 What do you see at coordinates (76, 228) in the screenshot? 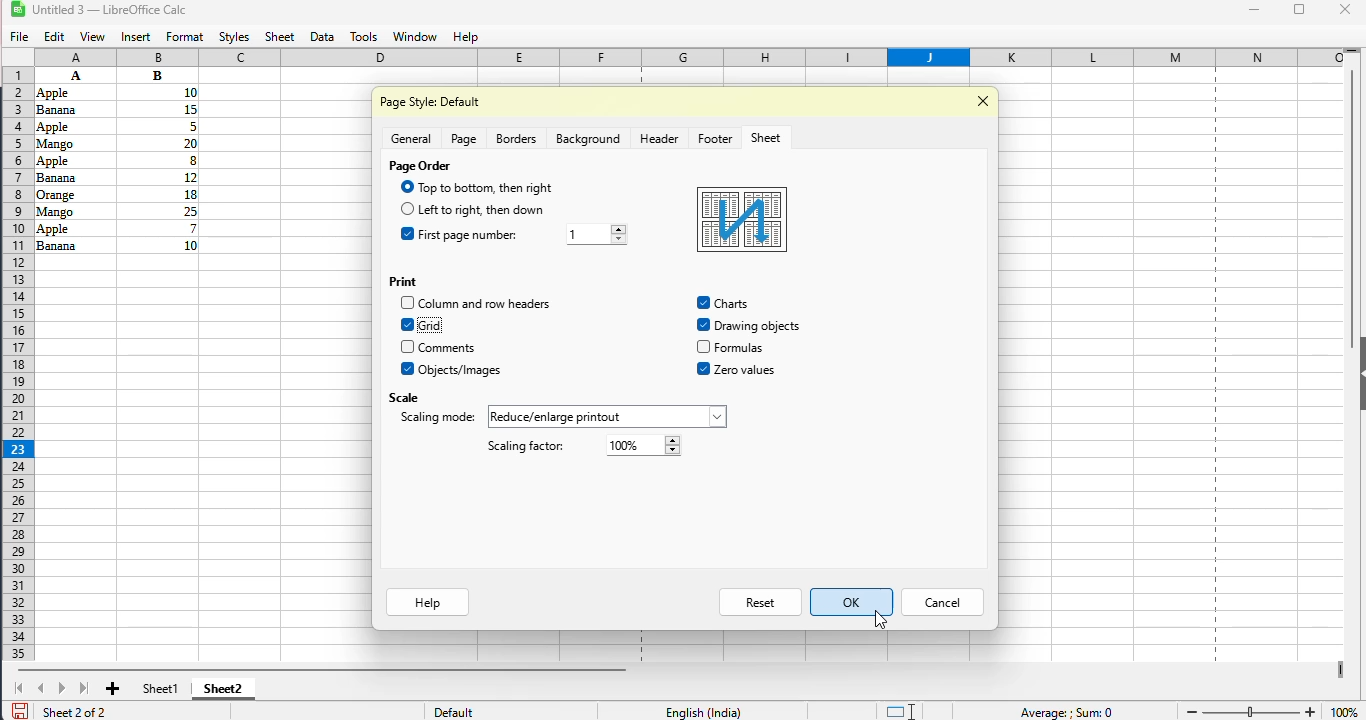
I see `` at bounding box center [76, 228].